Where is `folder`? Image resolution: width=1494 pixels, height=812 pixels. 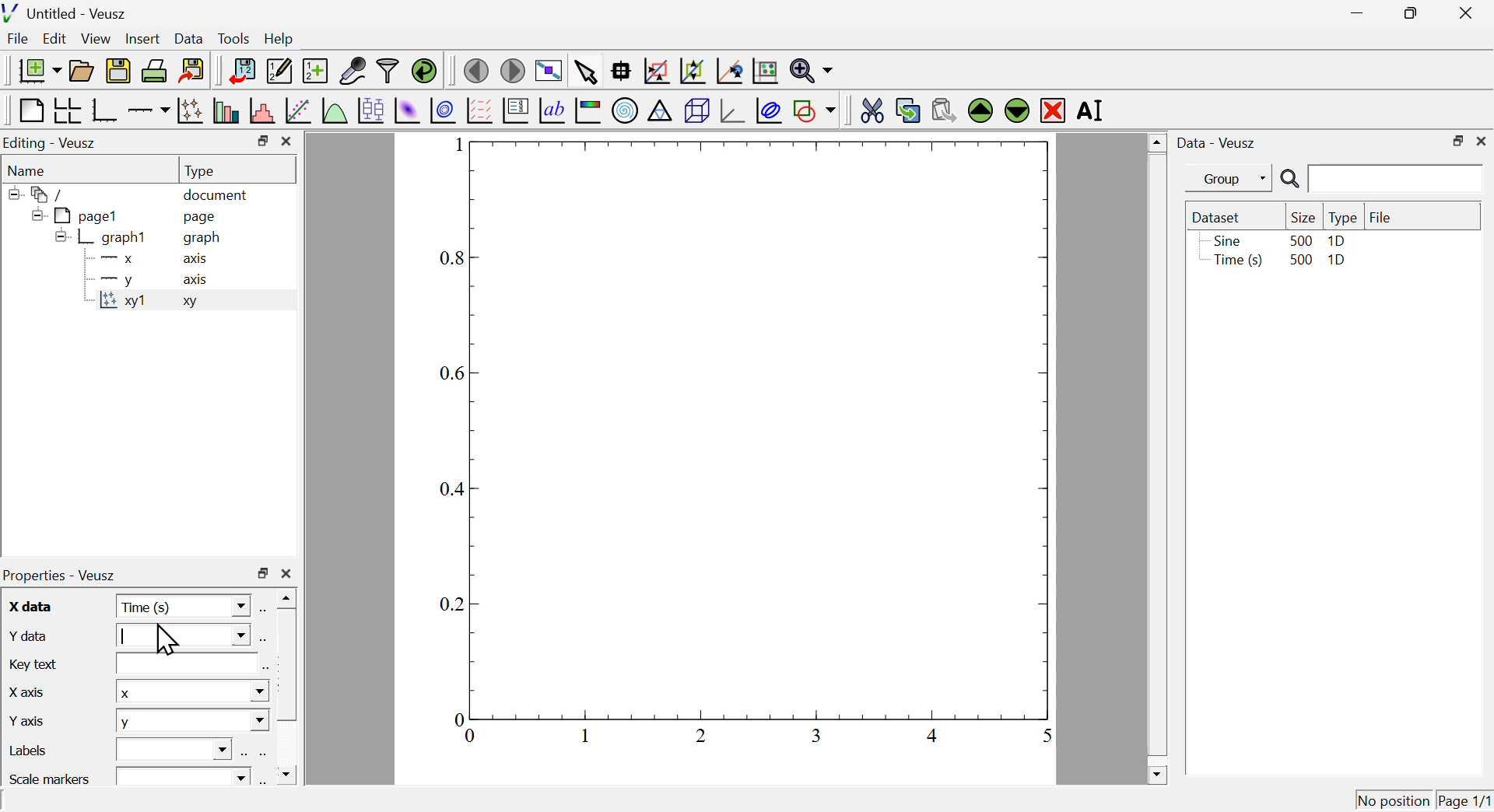
folder is located at coordinates (43, 194).